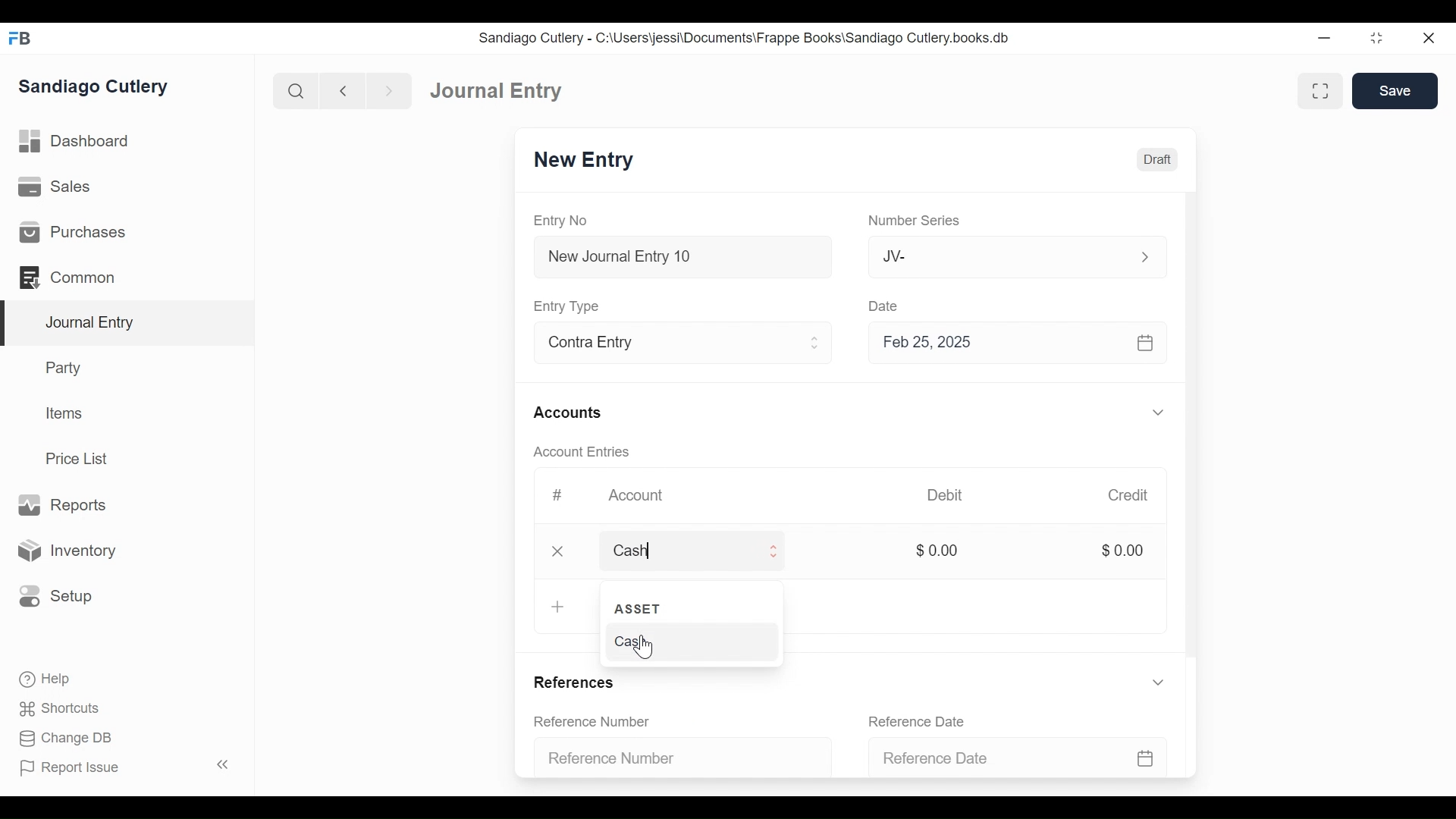 Image resolution: width=1456 pixels, height=819 pixels. What do you see at coordinates (56, 595) in the screenshot?
I see `Setup` at bounding box center [56, 595].